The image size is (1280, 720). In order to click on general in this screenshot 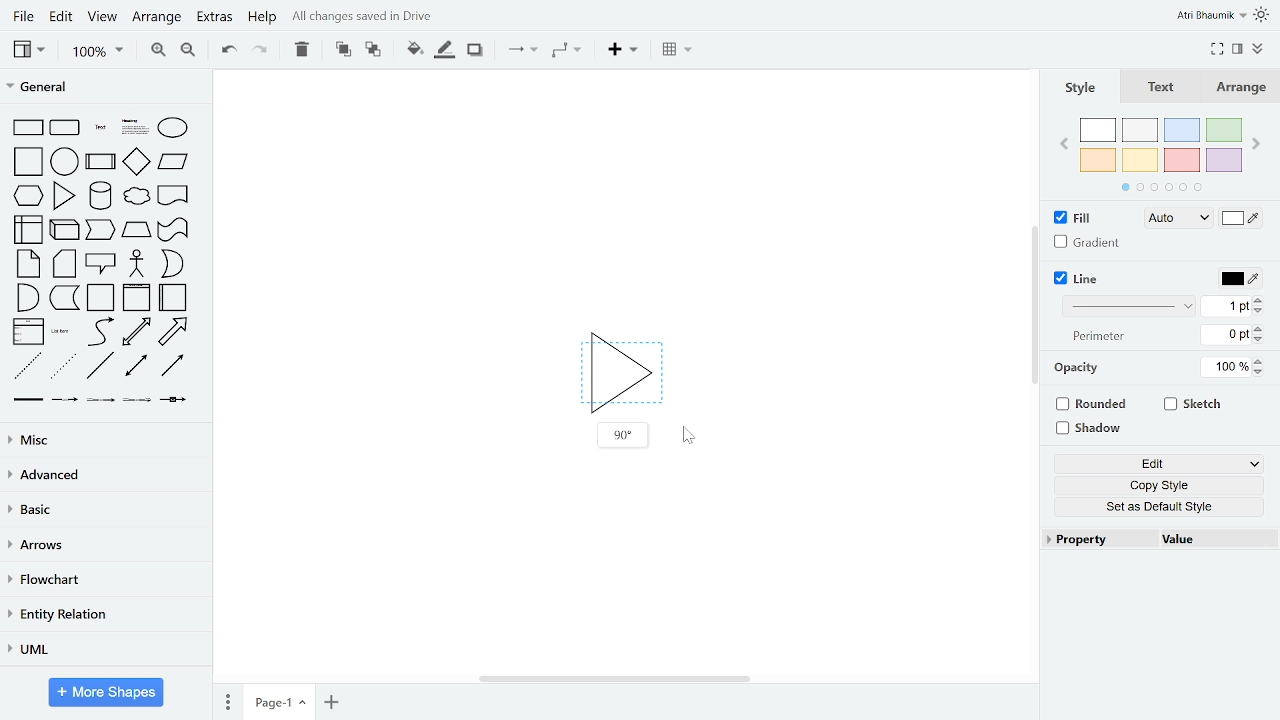, I will do `click(101, 85)`.